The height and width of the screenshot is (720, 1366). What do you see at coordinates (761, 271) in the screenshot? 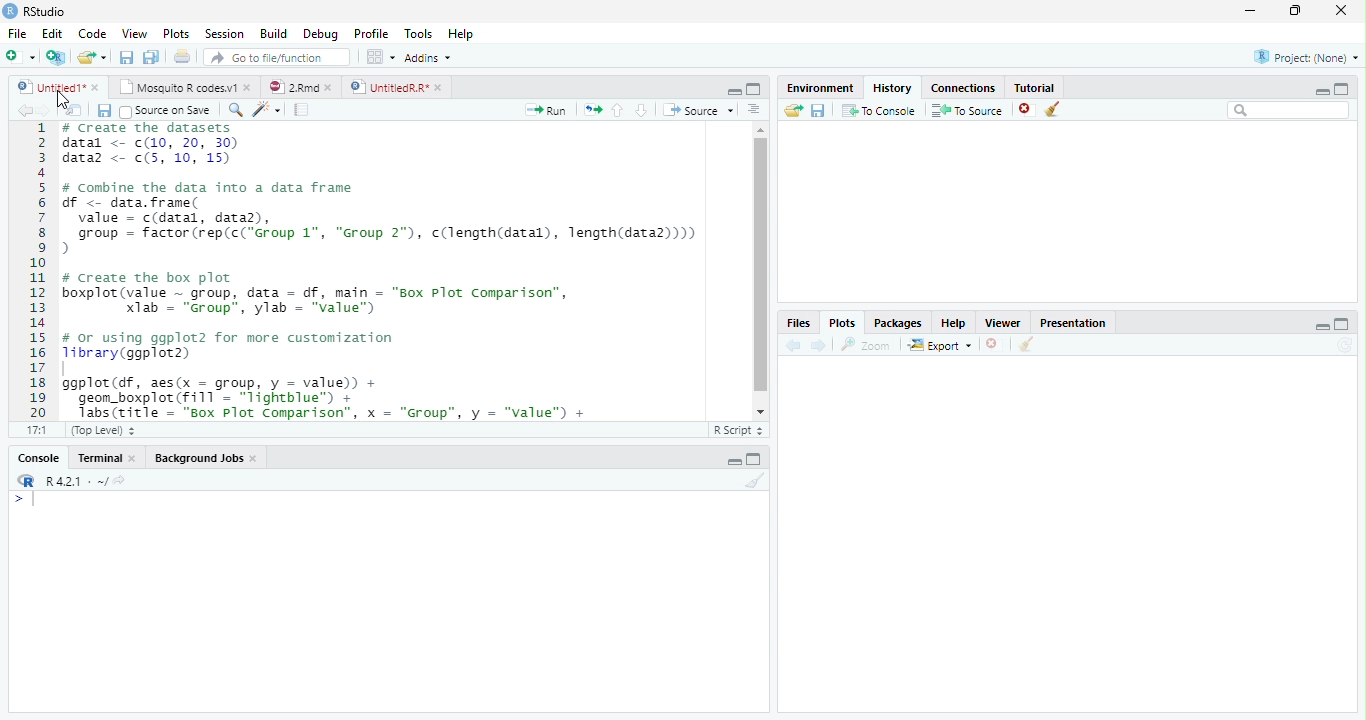
I see `vertical scroll bar` at bounding box center [761, 271].